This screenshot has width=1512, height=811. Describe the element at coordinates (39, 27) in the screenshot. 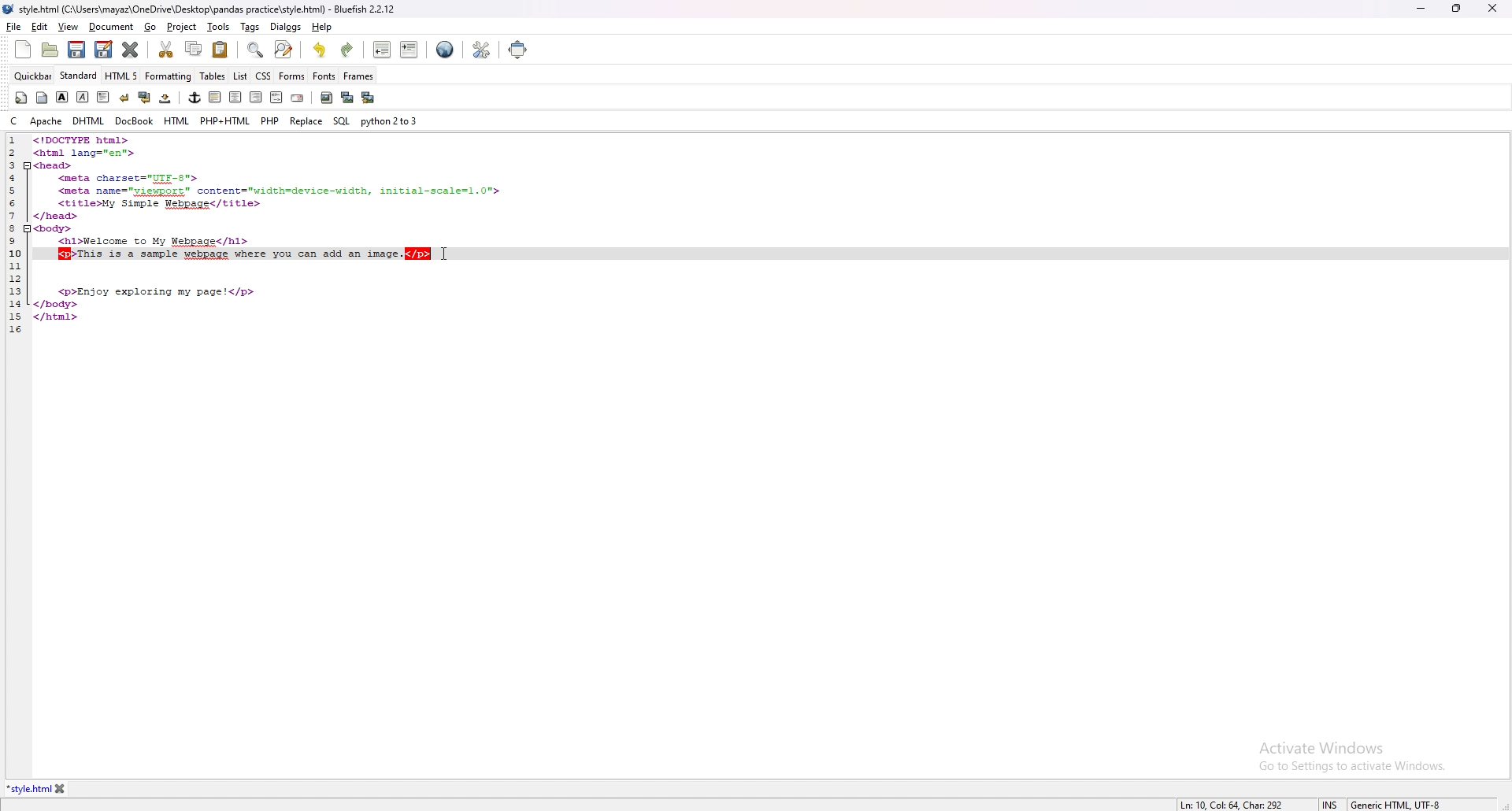

I see `edit` at that location.